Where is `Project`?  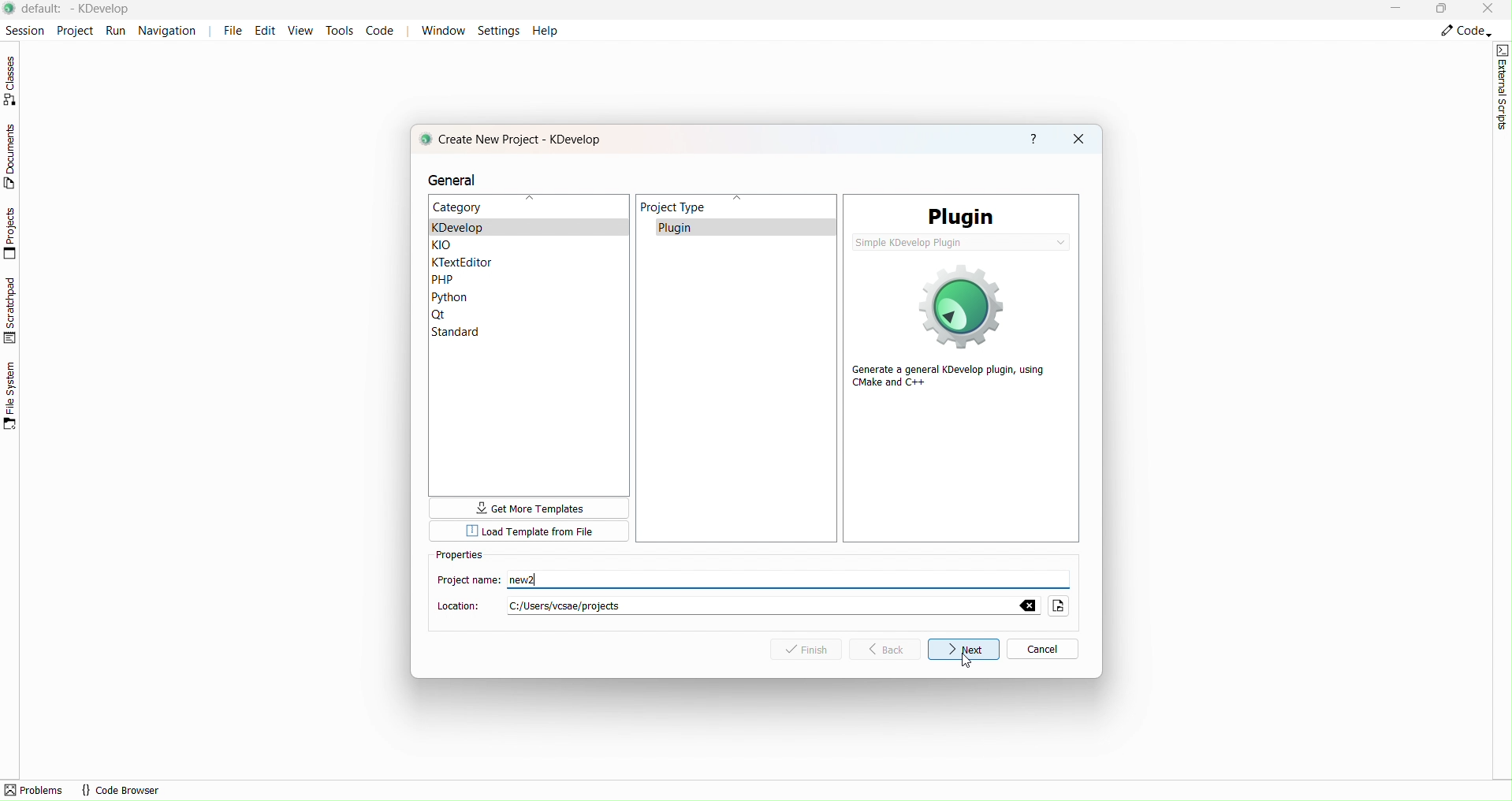
Project is located at coordinates (74, 29).